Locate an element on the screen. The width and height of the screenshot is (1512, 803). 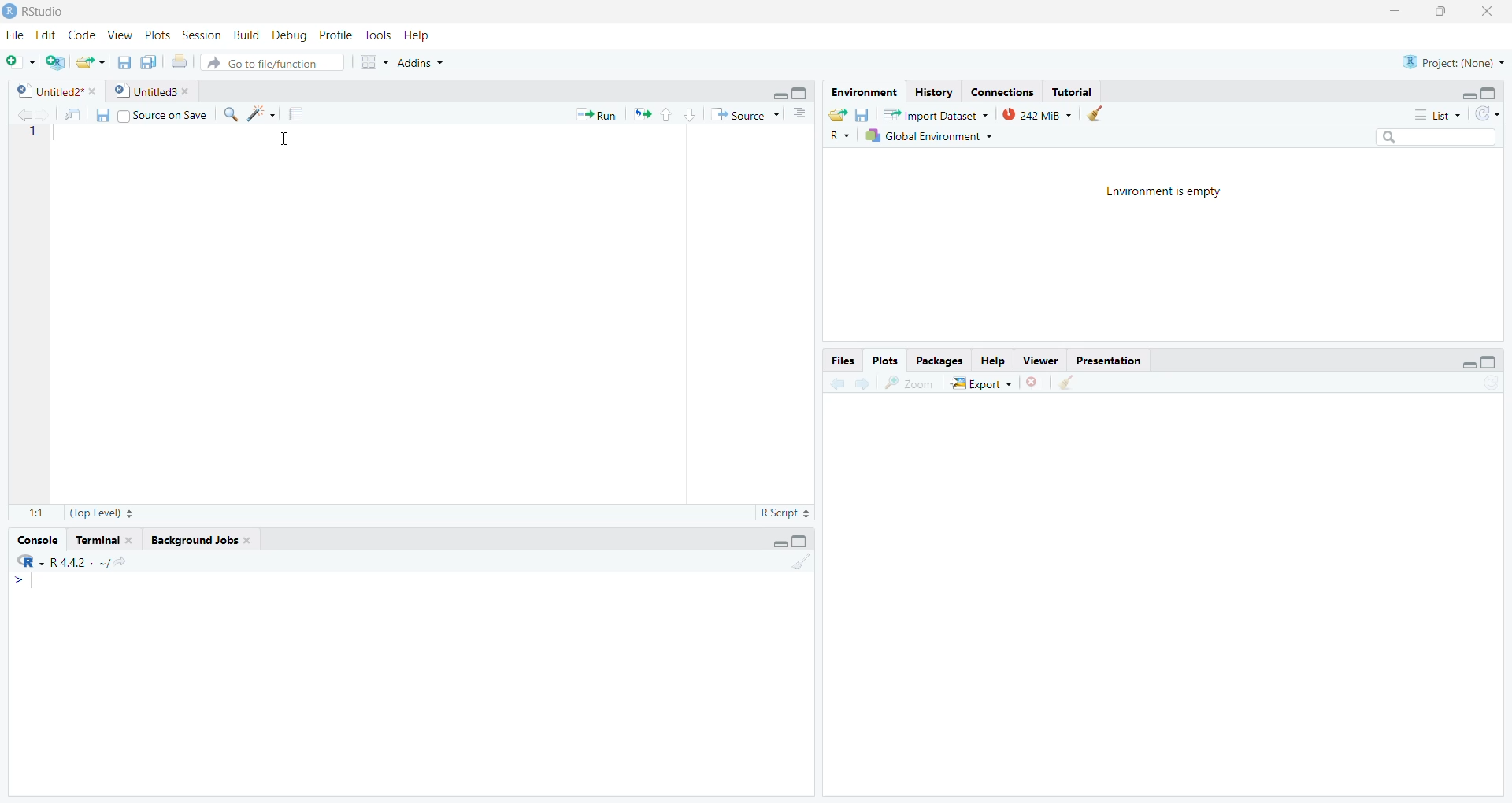
Run is located at coordinates (598, 114).